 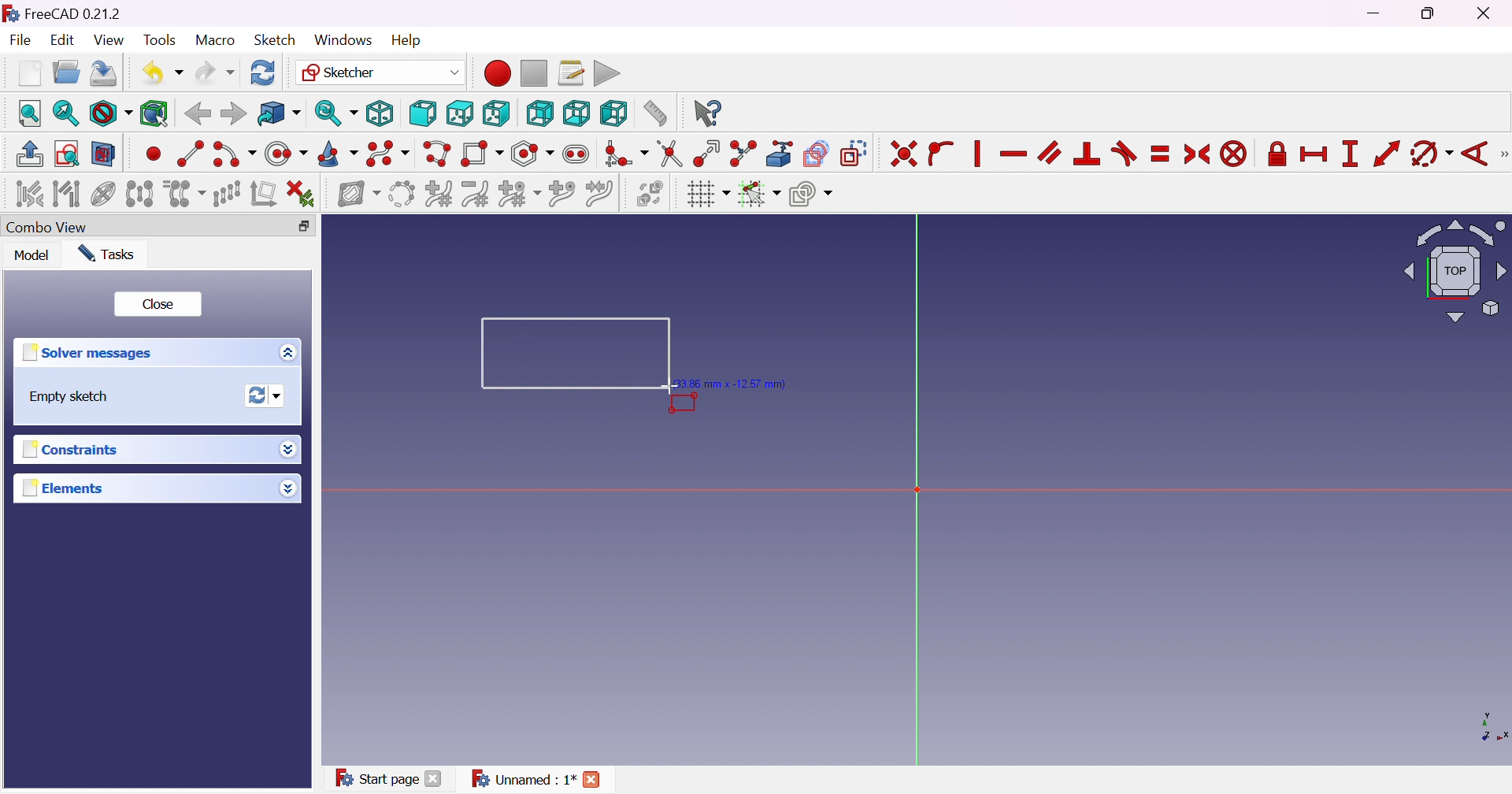 What do you see at coordinates (477, 194) in the screenshot?
I see `Decrease B-spline degree` at bounding box center [477, 194].